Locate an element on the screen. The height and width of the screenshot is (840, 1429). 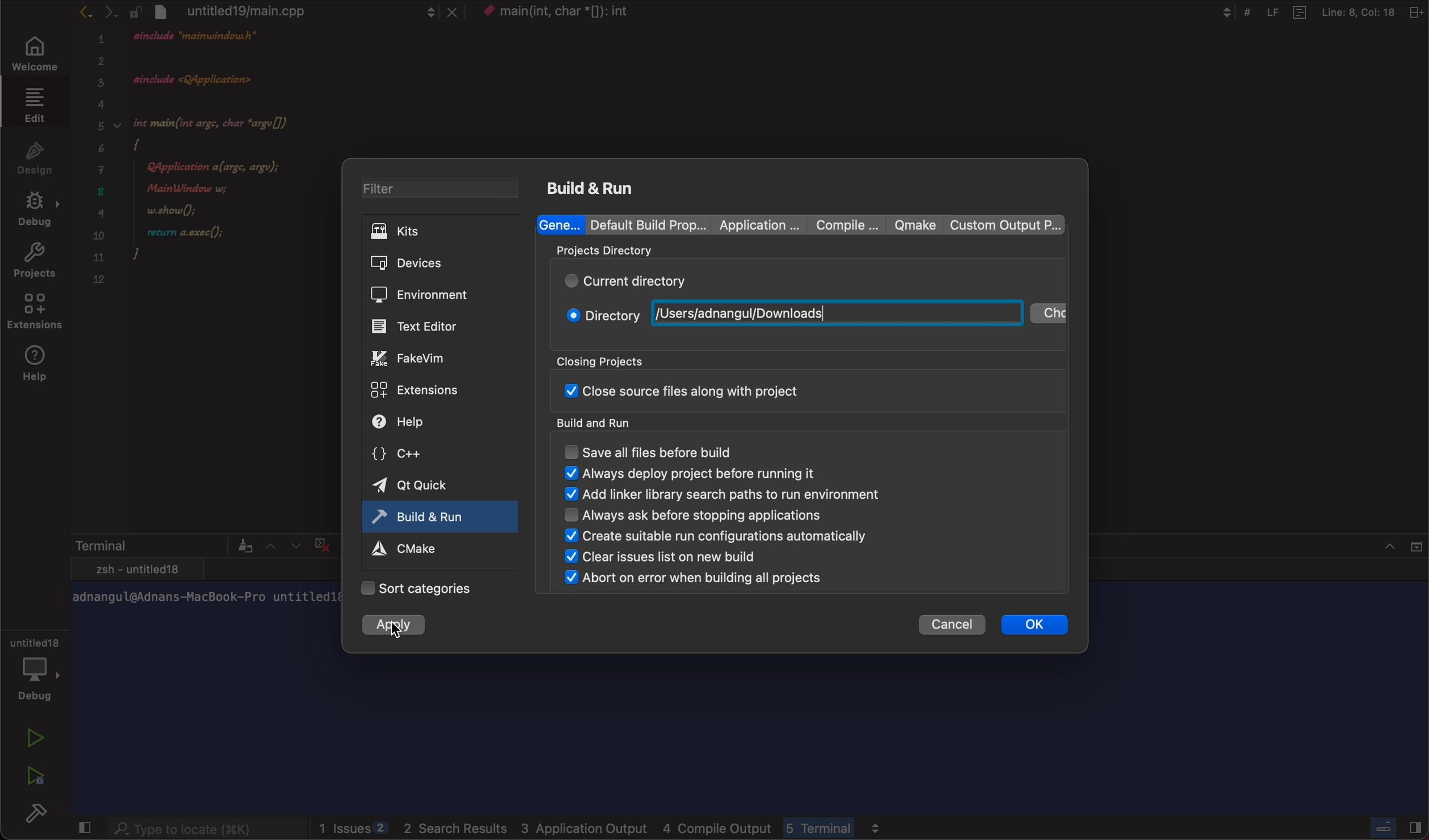
create suitable run configuration  is located at coordinates (715, 538).